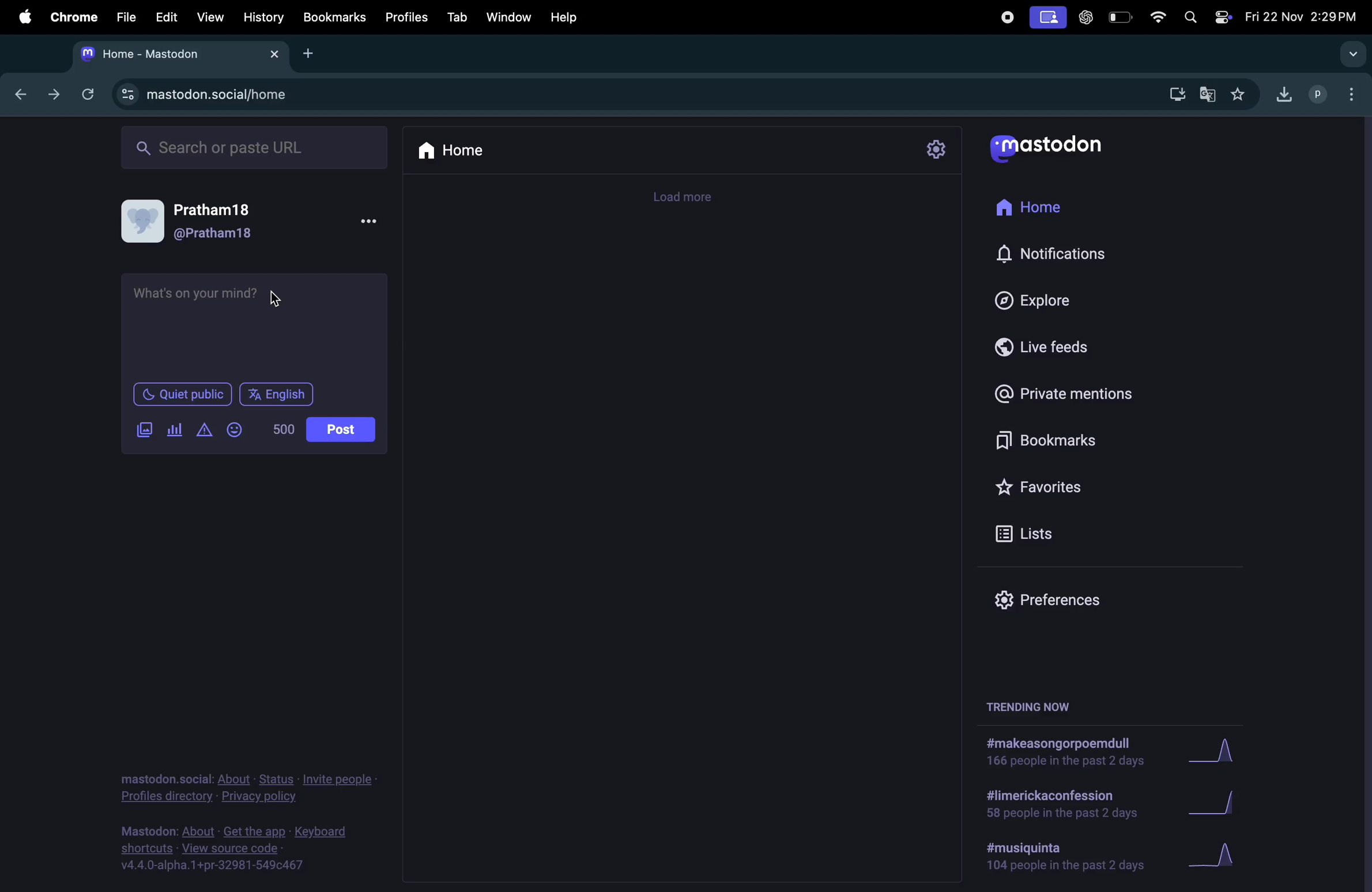 The height and width of the screenshot is (892, 1372). Describe the element at coordinates (1317, 95) in the screenshot. I see `profiles` at that location.